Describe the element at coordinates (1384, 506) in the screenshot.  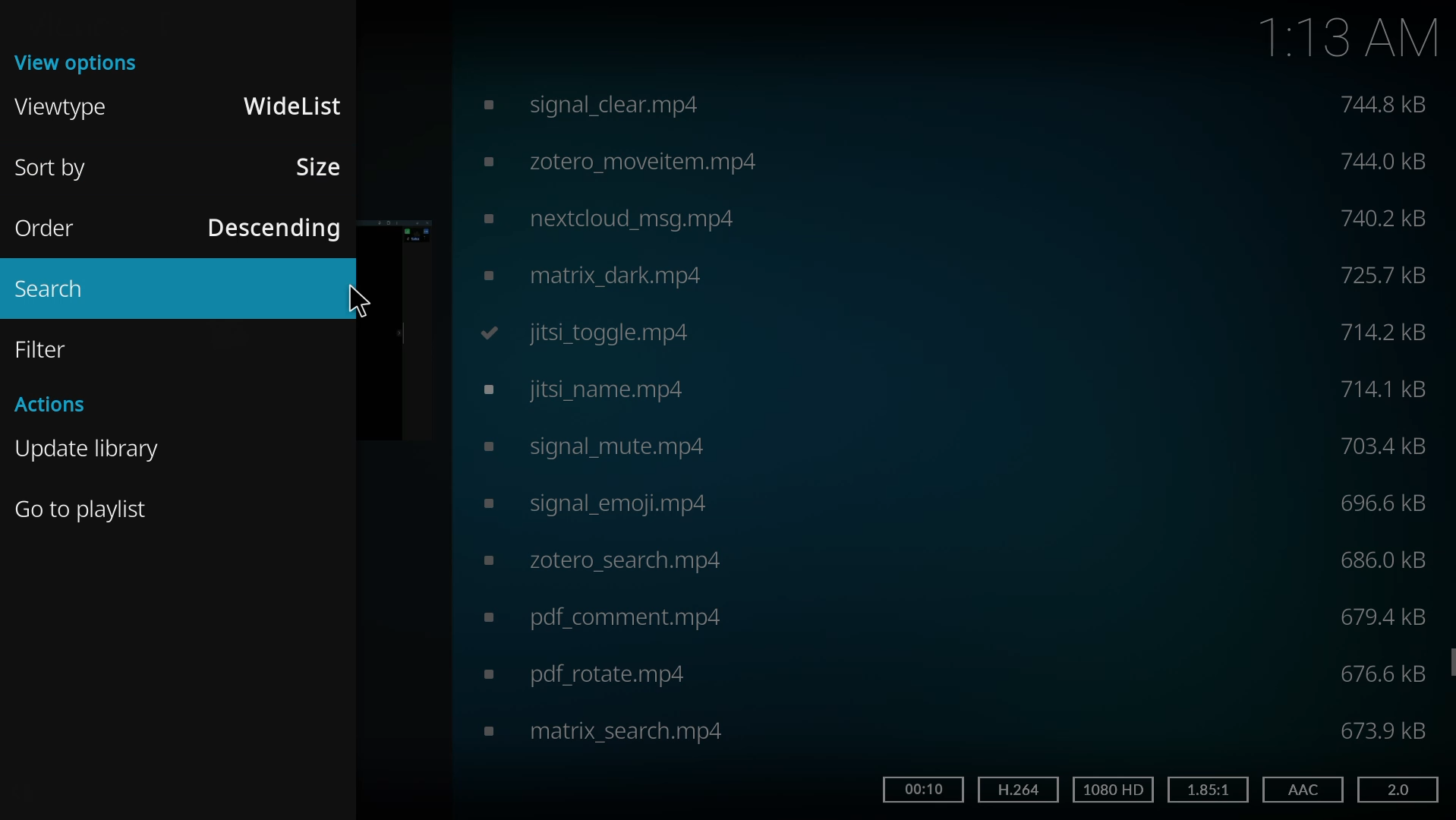
I see `size` at that location.